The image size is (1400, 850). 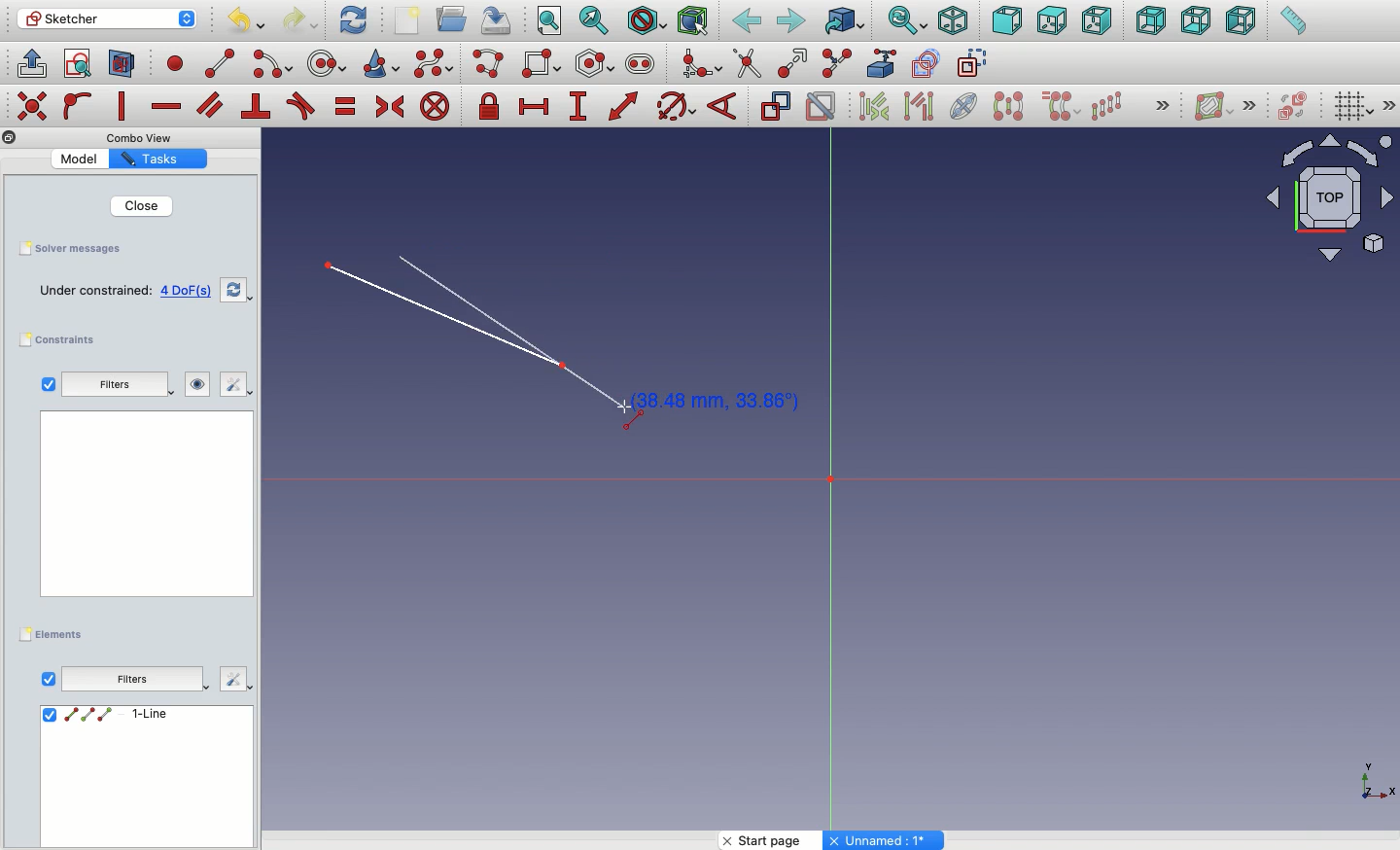 I want to click on , so click(x=1370, y=780).